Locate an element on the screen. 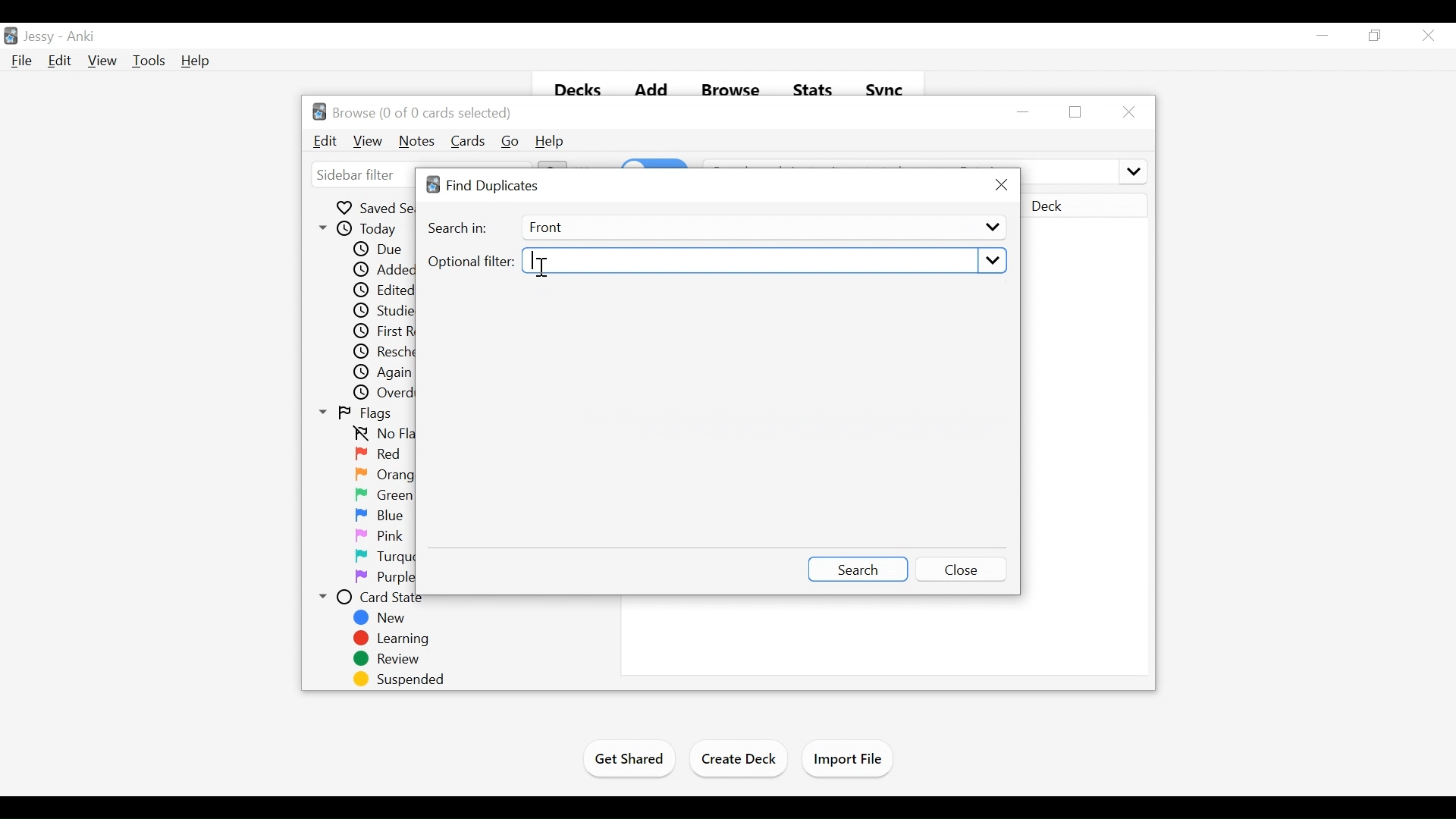  Edit is located at coordinates (58, 60).